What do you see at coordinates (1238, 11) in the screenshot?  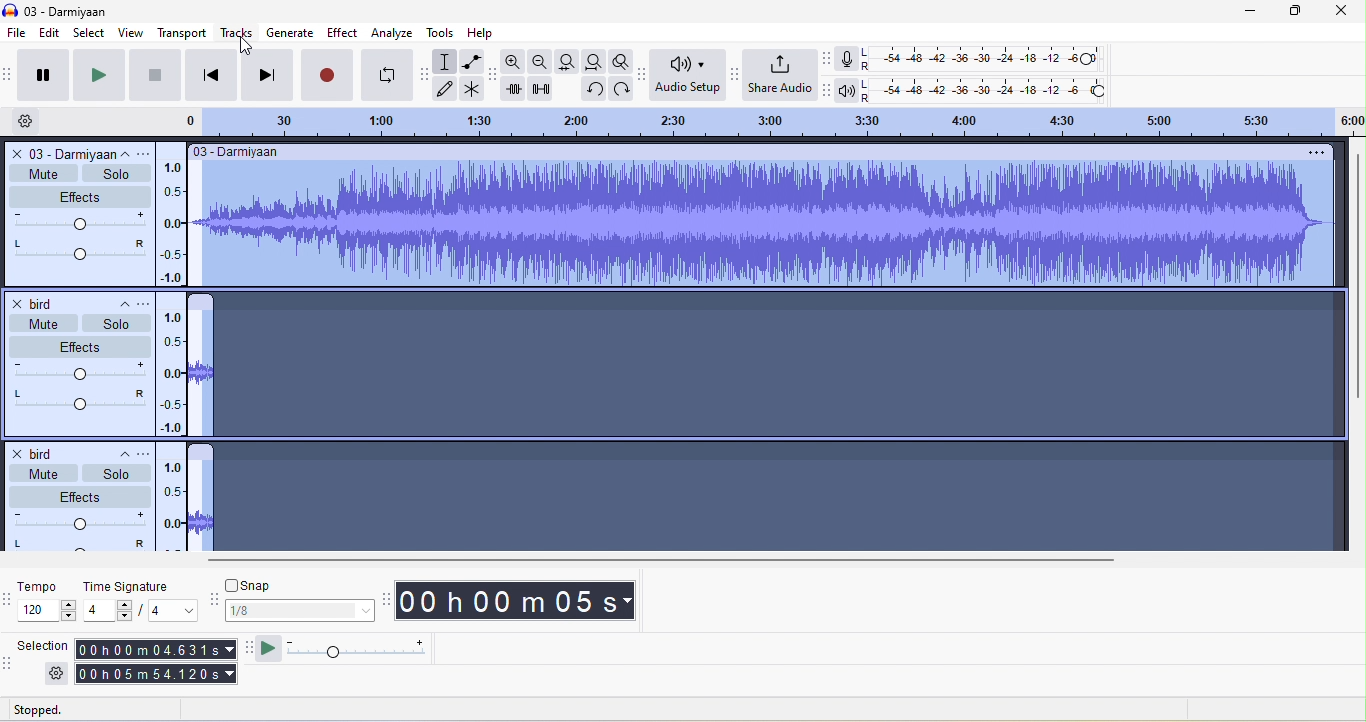 I see `minimize` at bounding box center [1238, 11].